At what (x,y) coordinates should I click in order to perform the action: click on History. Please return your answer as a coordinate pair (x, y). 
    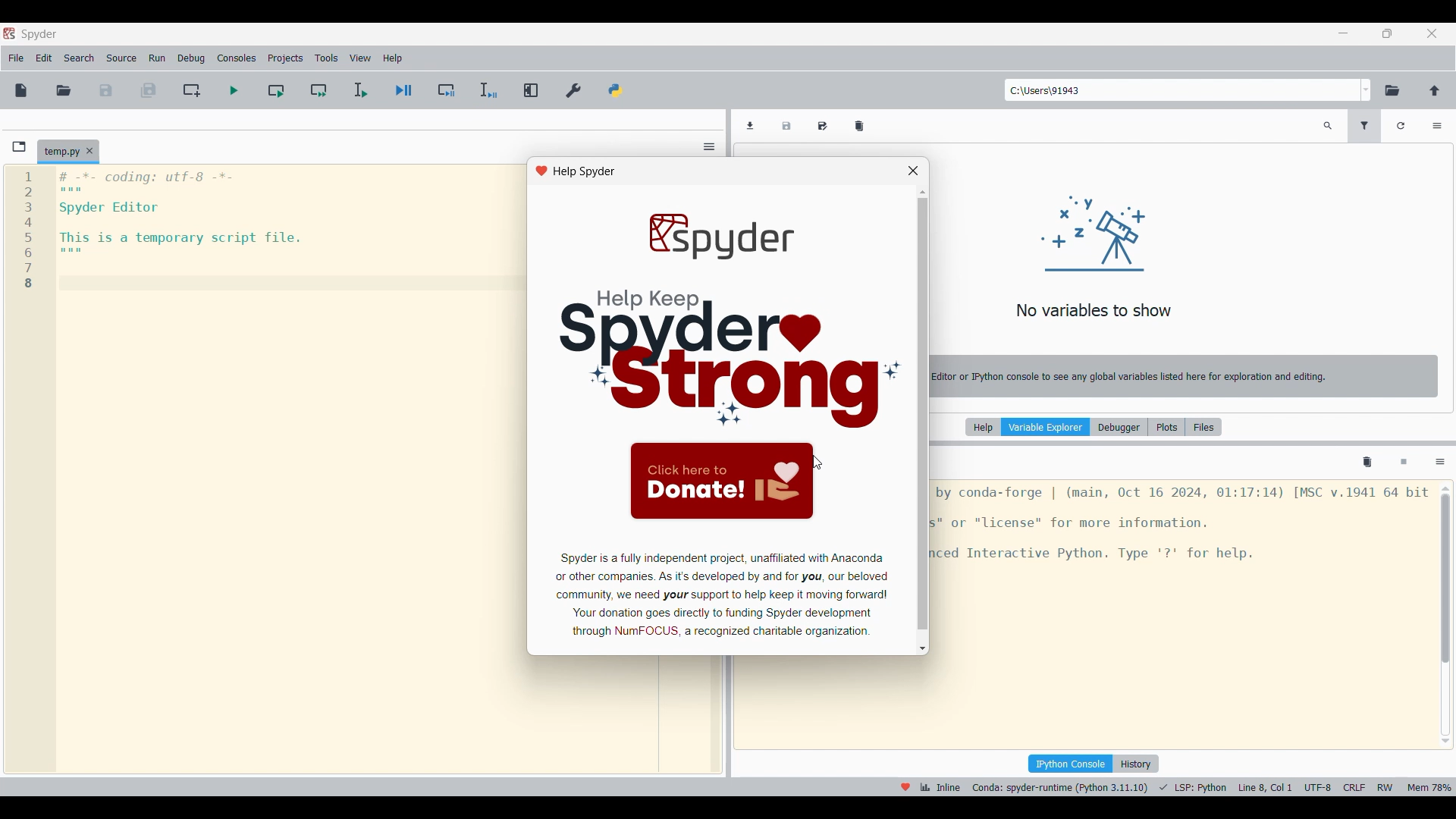
    Looking at the image, I should click on (1137, 764).